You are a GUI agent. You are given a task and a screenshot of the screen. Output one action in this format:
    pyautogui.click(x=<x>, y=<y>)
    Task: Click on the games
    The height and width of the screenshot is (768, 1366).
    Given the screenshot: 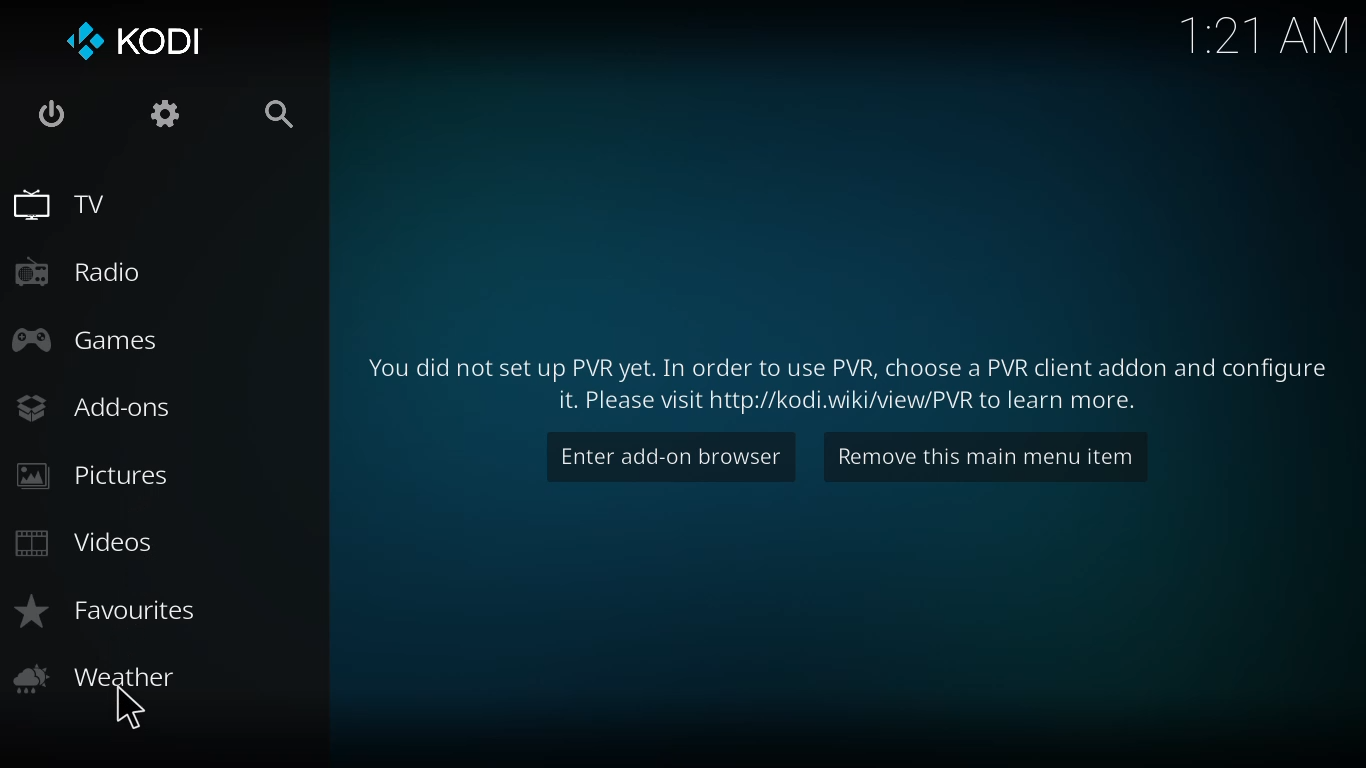 What is the action you would take?
    pyautogui.click(x=86, y=339)
    